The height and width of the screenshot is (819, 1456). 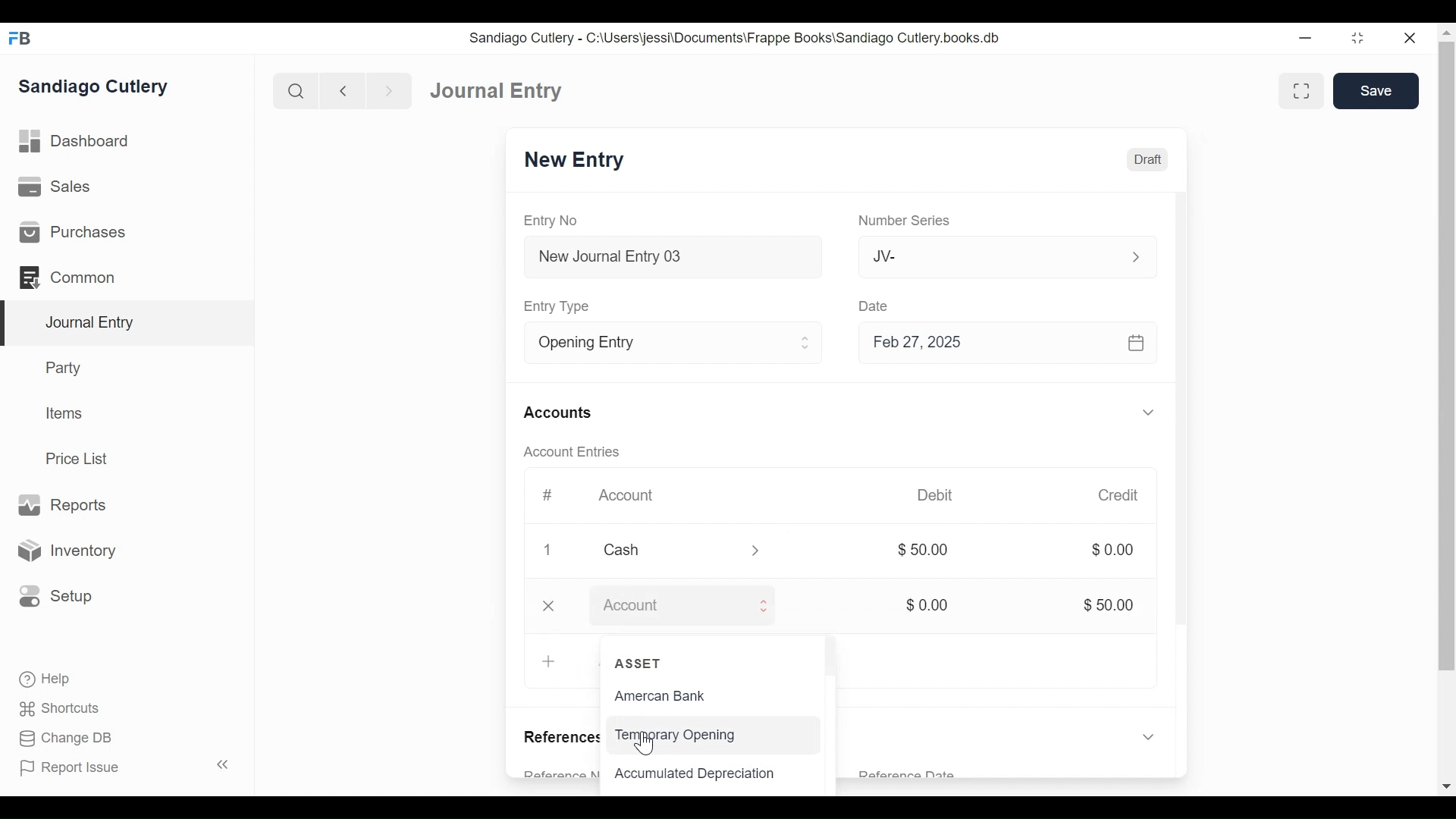 What do you see at coordinates (872, 306) in the screenshot?
I see `Date` at bounding box center [872, 306].